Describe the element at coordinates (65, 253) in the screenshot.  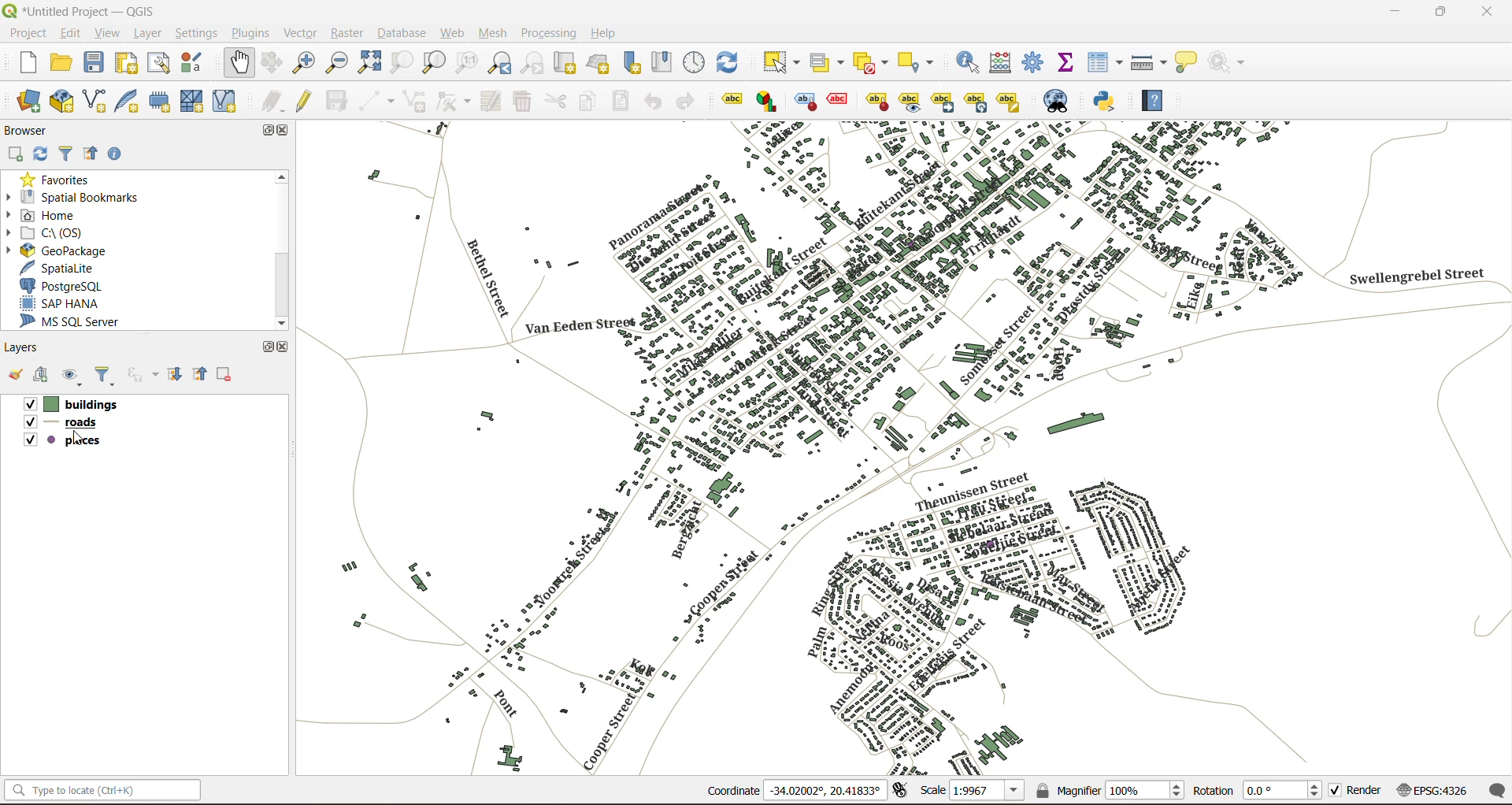
I see `geopackage` at that location.